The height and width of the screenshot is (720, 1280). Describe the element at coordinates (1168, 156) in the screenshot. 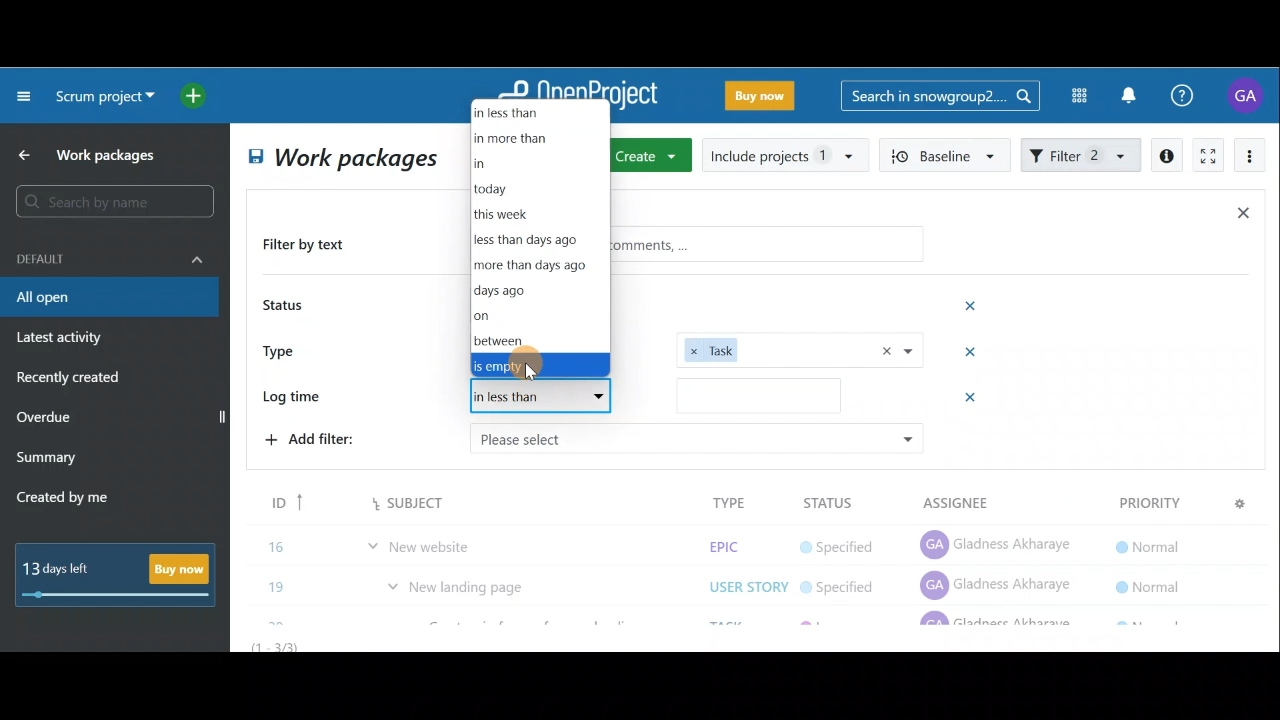

I see `Open details view` at that location.